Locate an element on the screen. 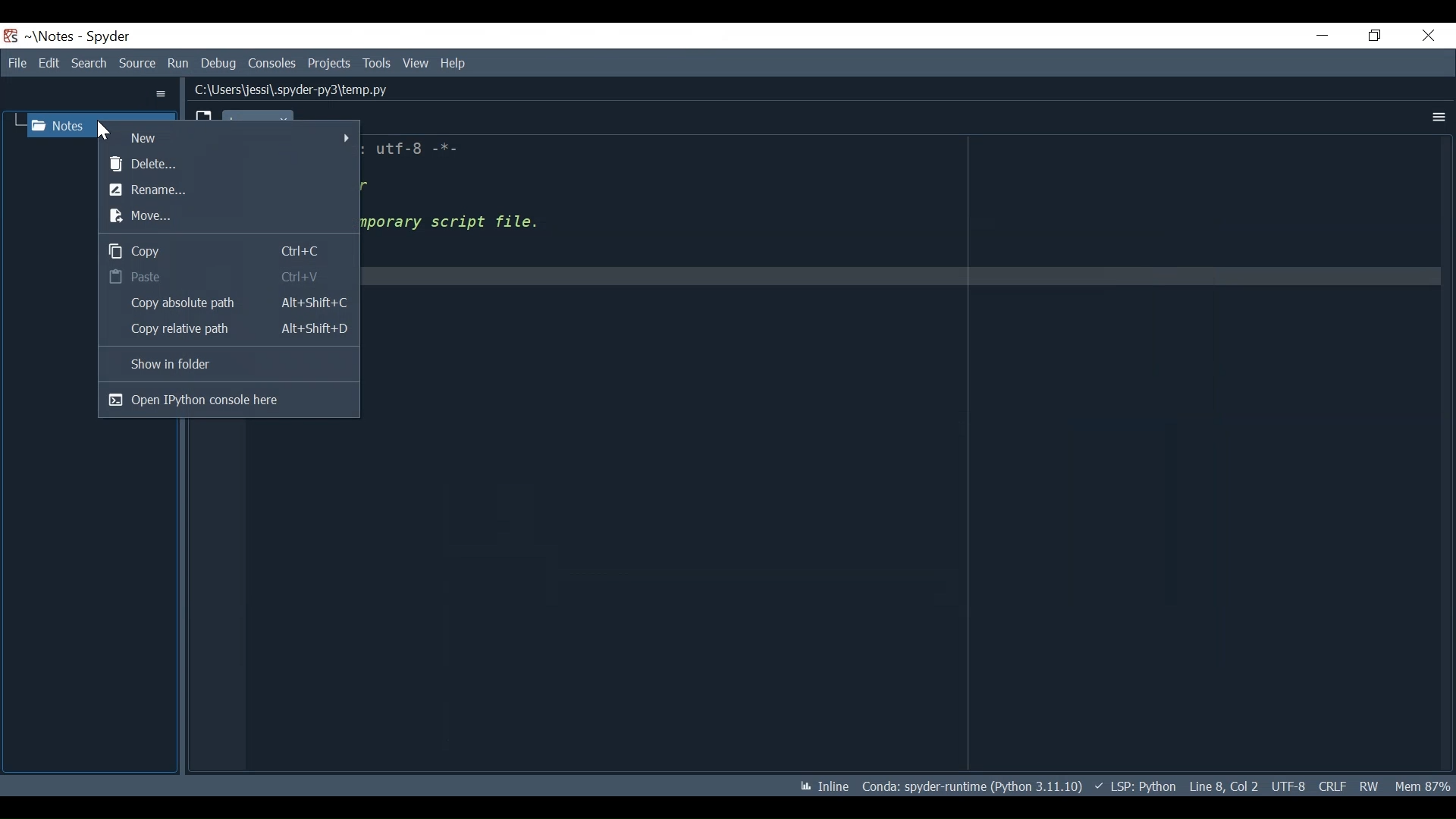 The width and height of the screenshot is (1456, 819). Show in folder is located at coordinates (227, 366).